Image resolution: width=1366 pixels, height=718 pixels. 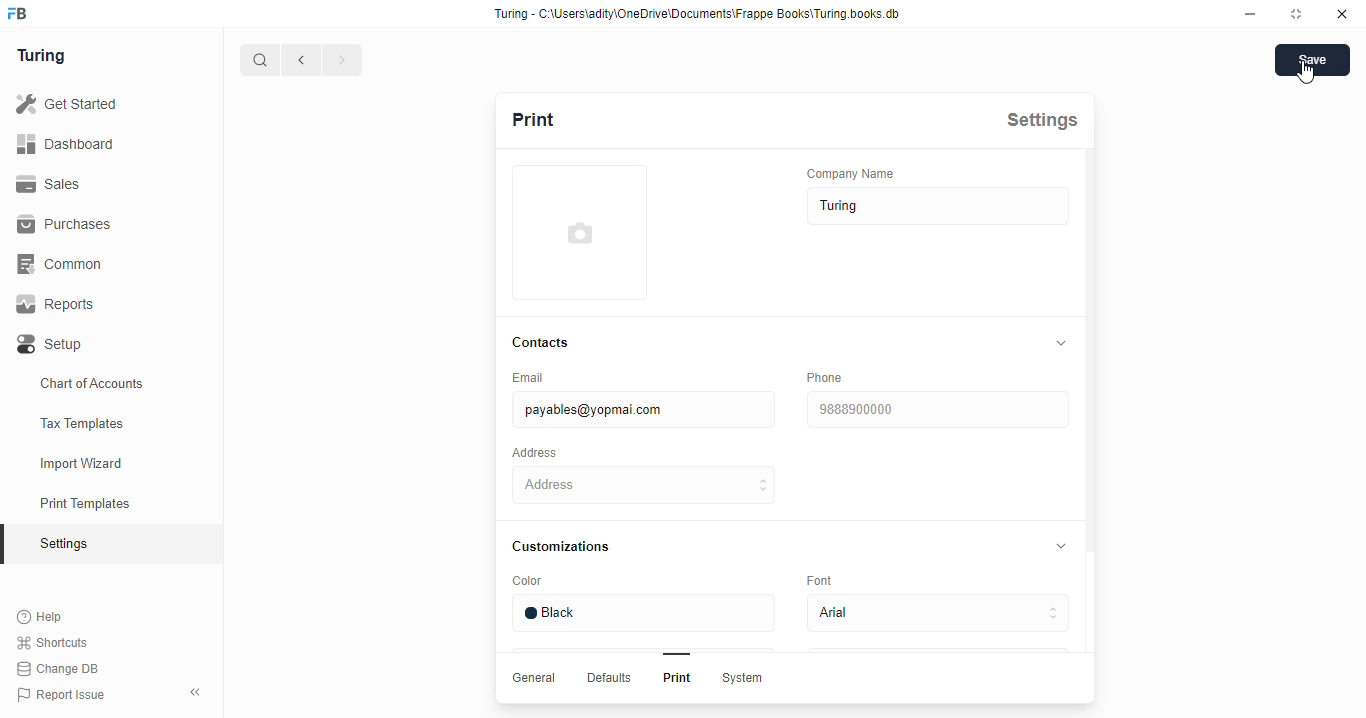 I want to click on Setiings., so click(x=111, y=544).